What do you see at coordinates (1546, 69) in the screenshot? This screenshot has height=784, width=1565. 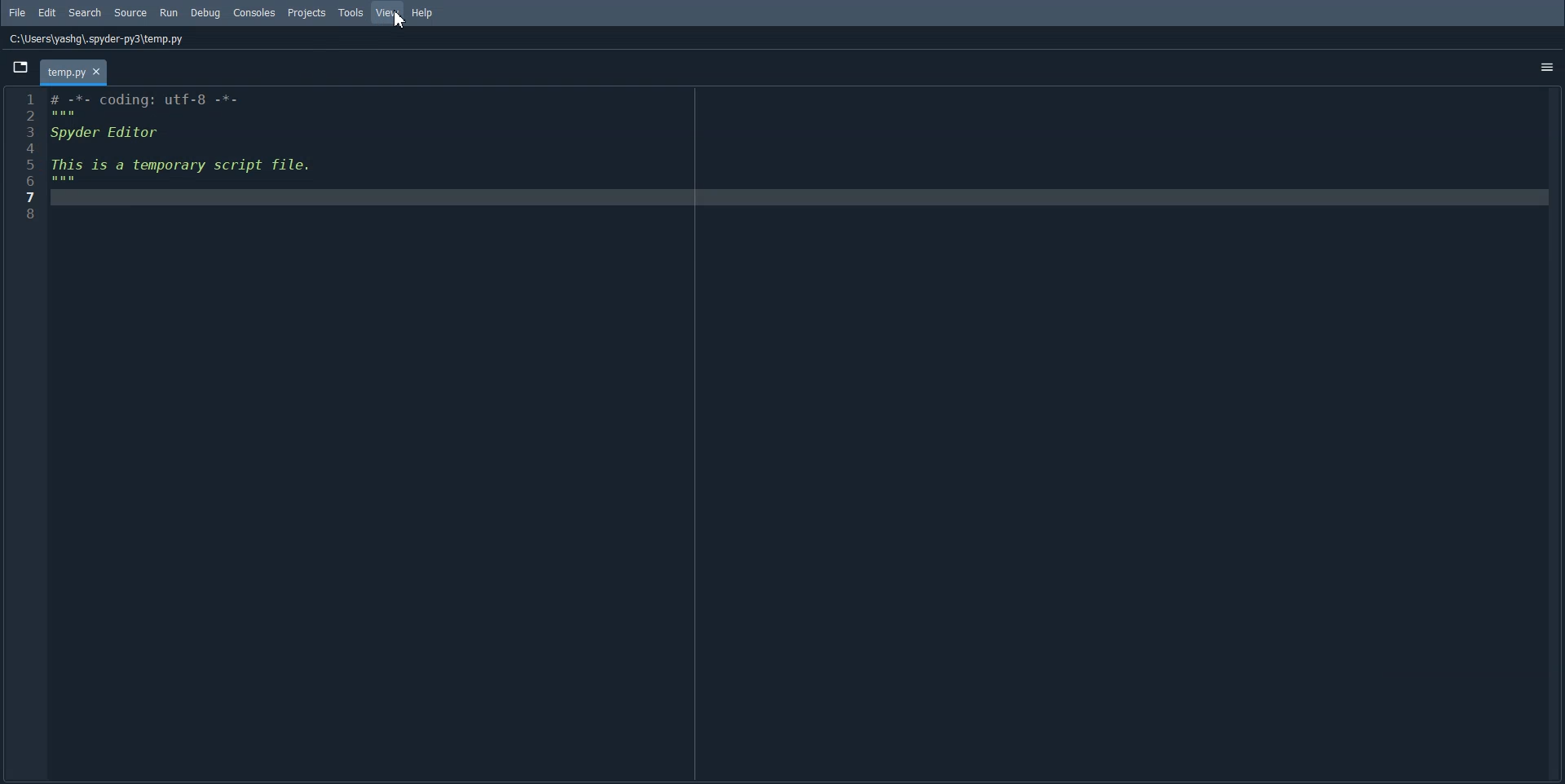 I see `Options` at bounding box center [1546, 69].